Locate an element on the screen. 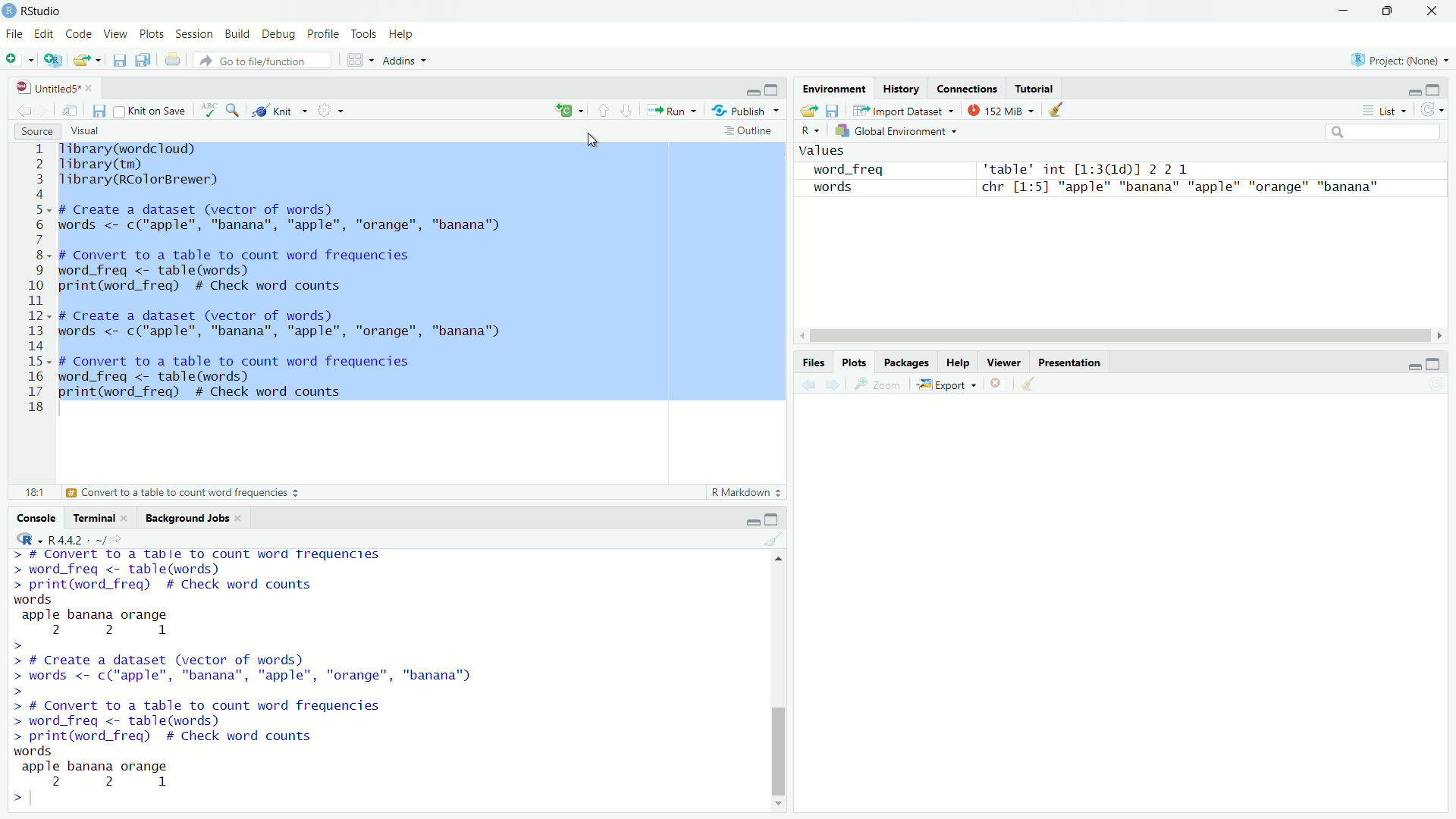  Profile is located at coordinates (325, 35).